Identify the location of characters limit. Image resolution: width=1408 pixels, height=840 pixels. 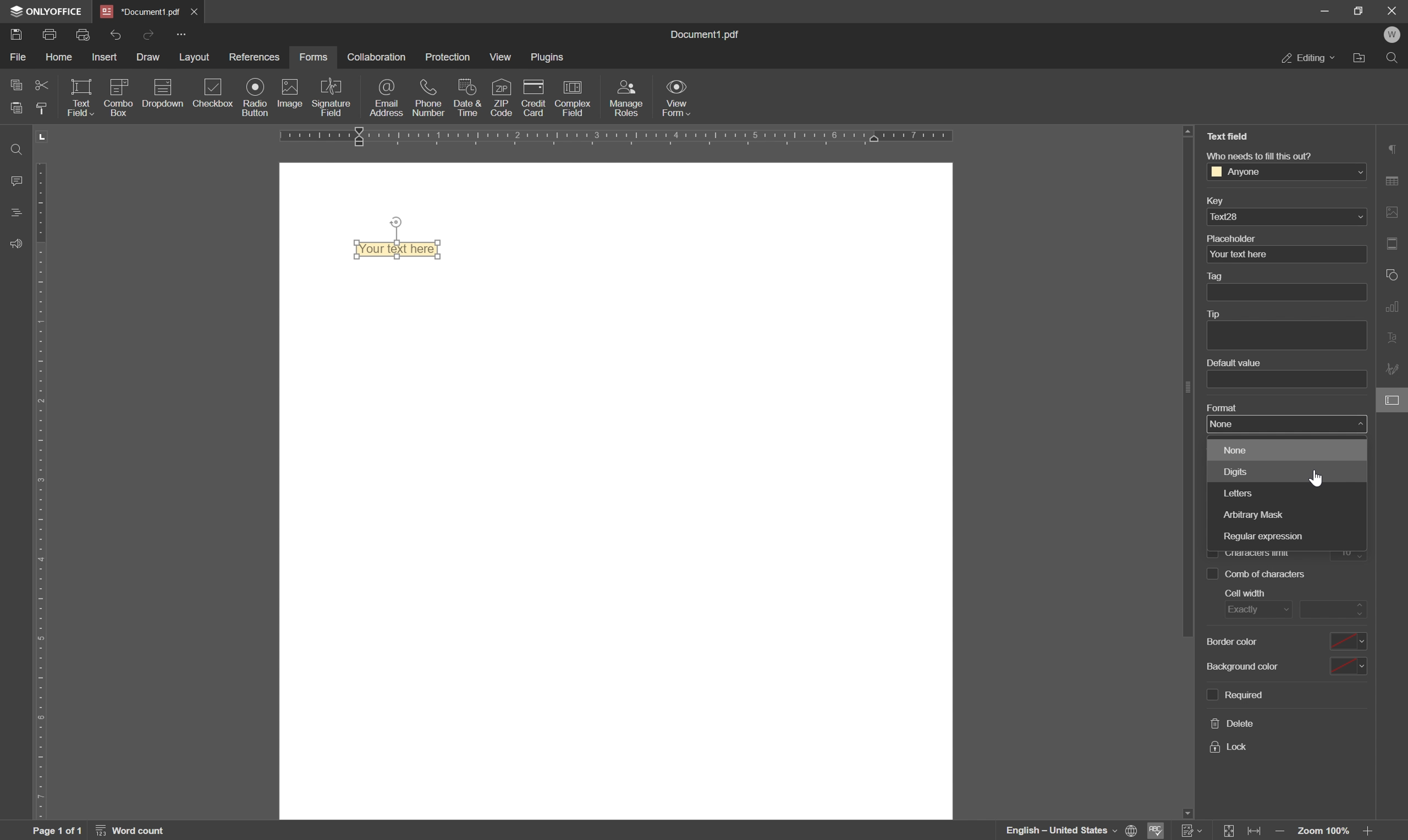
(1252, 553).